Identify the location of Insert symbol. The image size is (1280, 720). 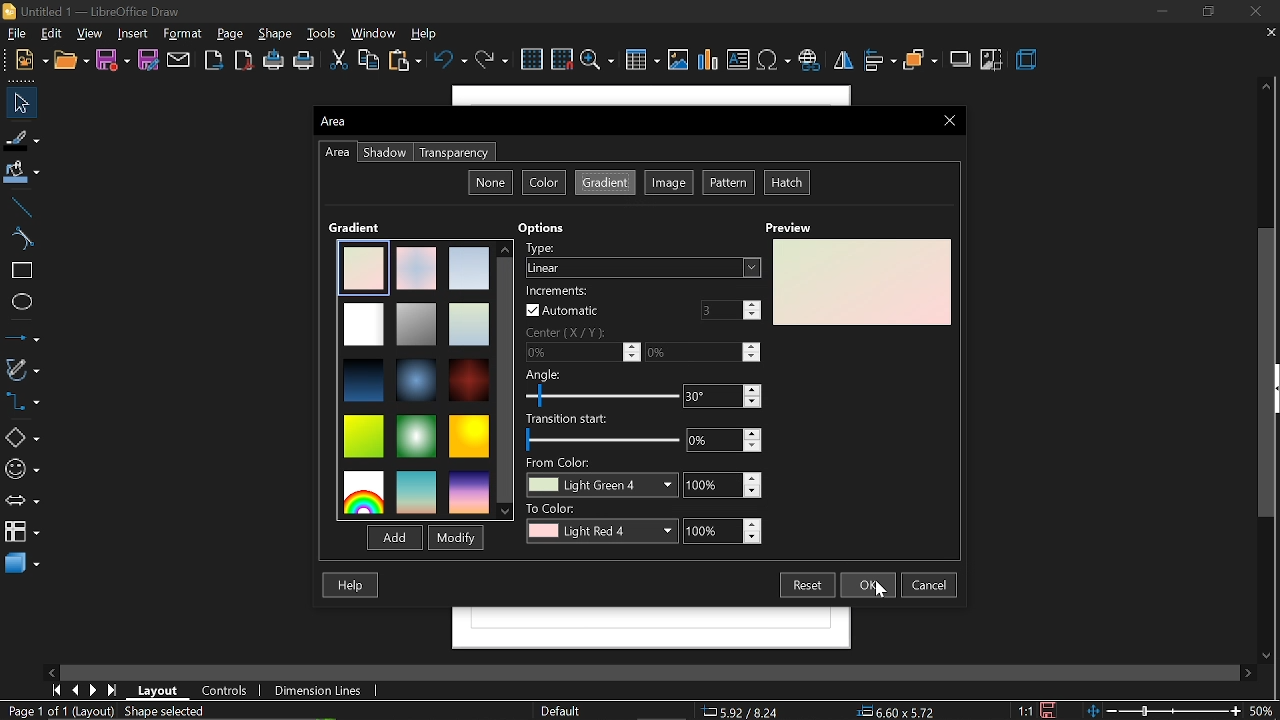
(774, 63).